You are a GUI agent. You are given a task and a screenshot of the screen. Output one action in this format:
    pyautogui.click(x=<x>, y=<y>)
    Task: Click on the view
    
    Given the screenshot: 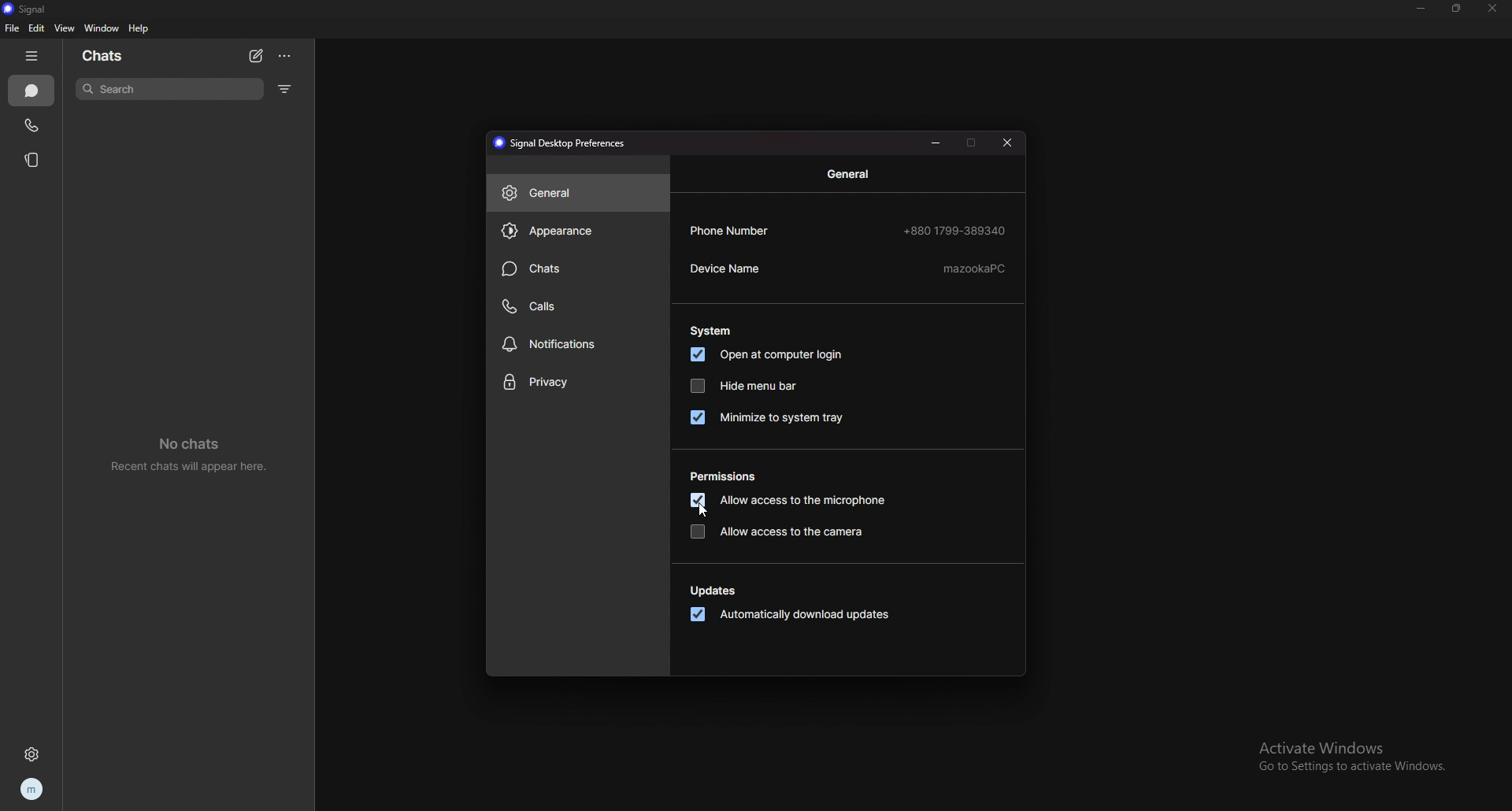 What is the action you would take?
    pyautogui.click(x=64, y=28)
    